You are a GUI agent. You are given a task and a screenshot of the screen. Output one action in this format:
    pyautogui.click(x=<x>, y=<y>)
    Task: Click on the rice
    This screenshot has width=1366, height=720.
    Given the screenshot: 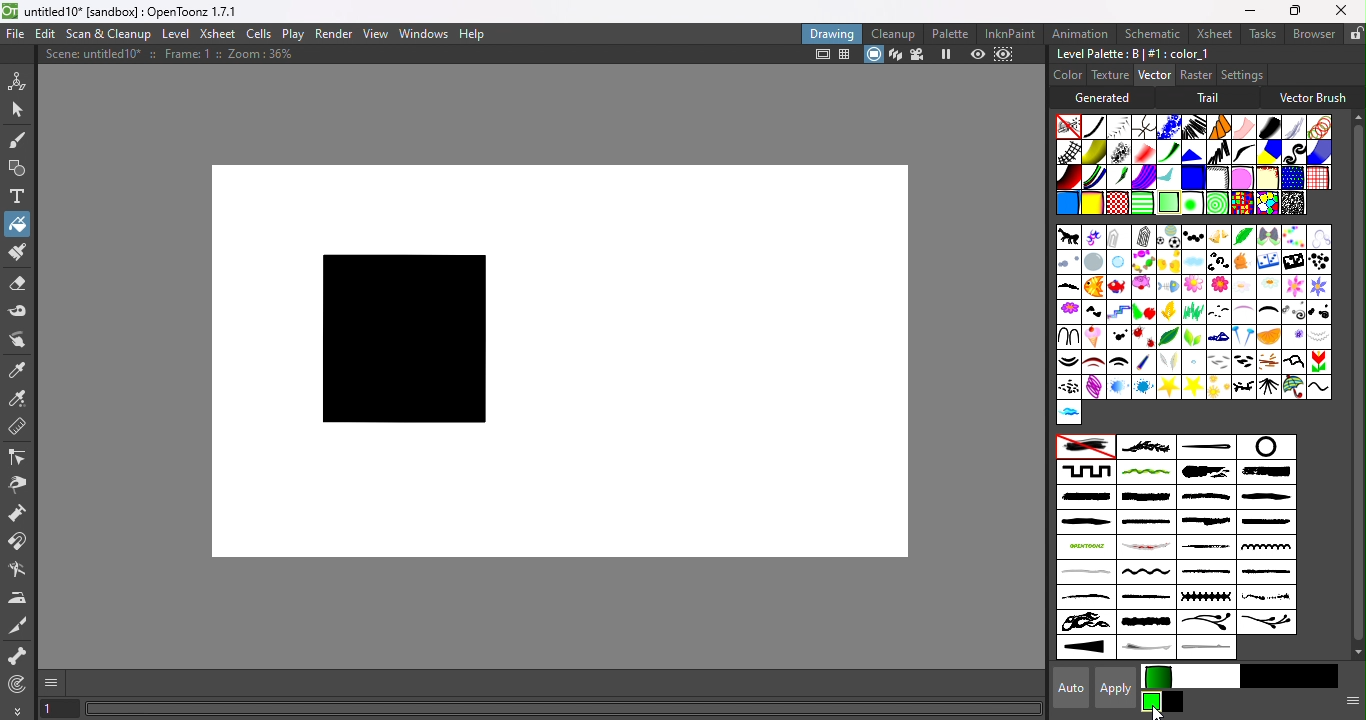 What is the action you would take?
    pyautogui.click(x=1244, y=361)
    